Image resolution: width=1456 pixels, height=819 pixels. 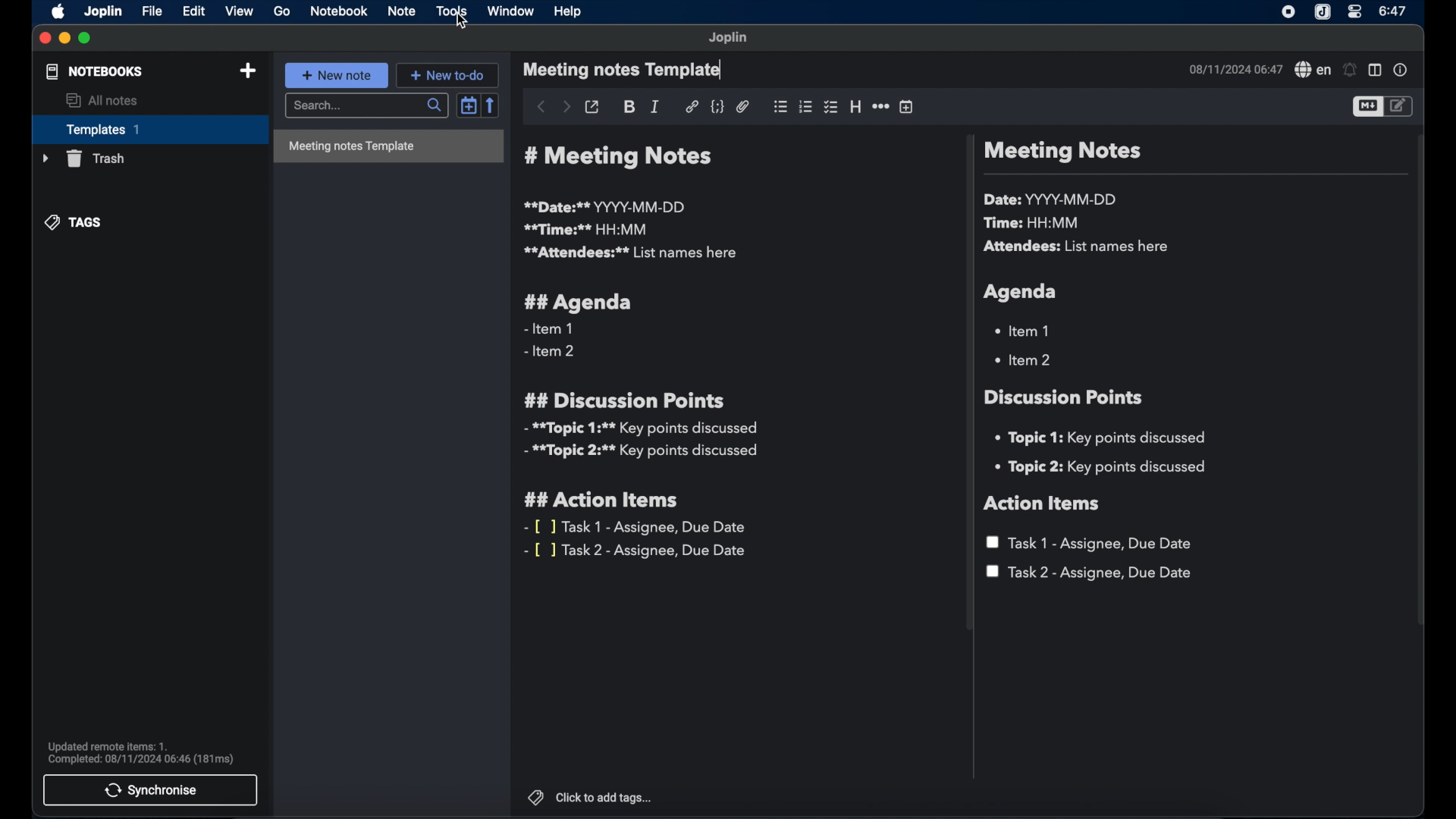 What do you see at coordinates (855, 108) in the screenshot?
I see `heading` at bounding box center [855, 108].